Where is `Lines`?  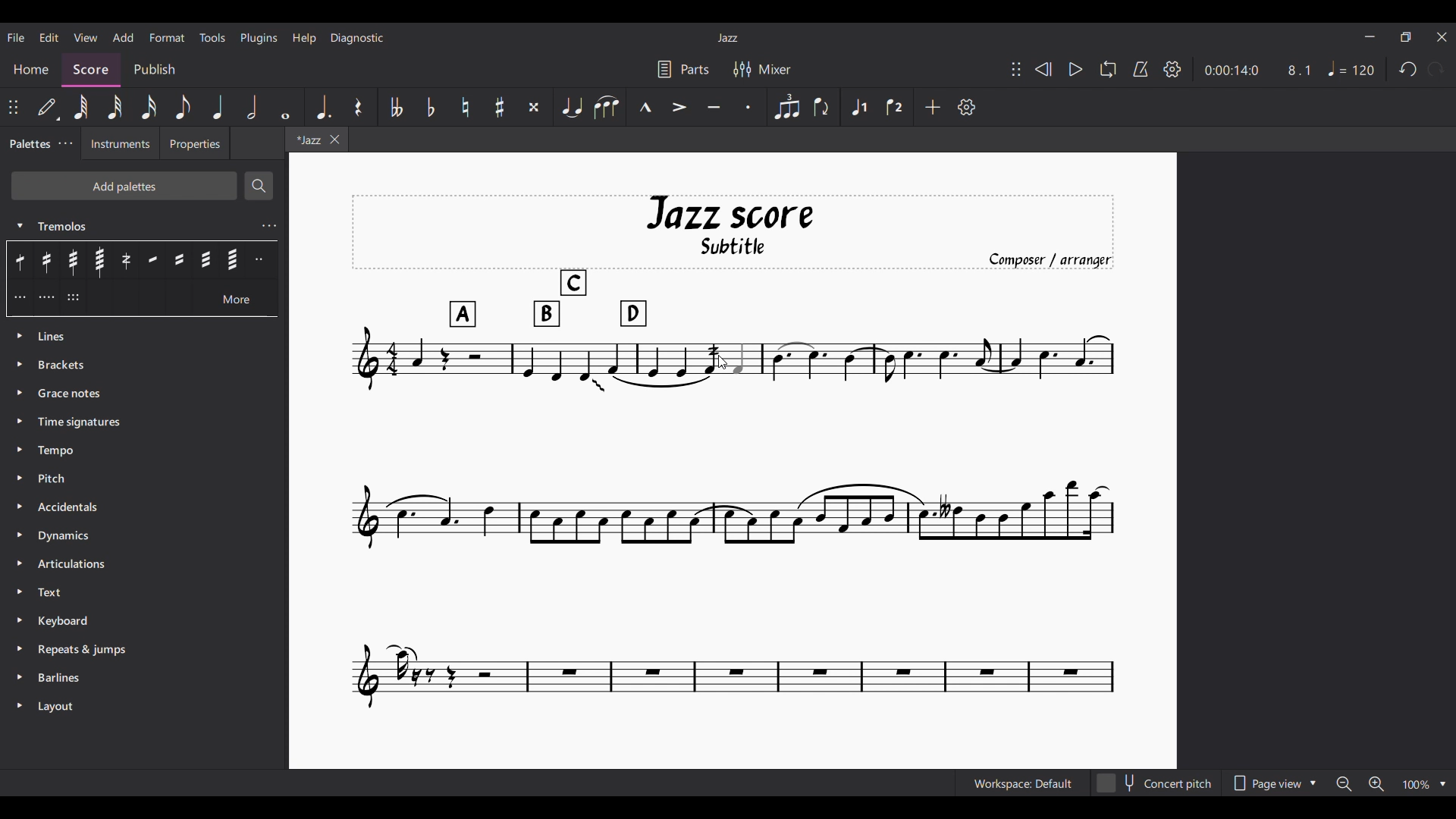 Lines is located at coordinates (146, 336).